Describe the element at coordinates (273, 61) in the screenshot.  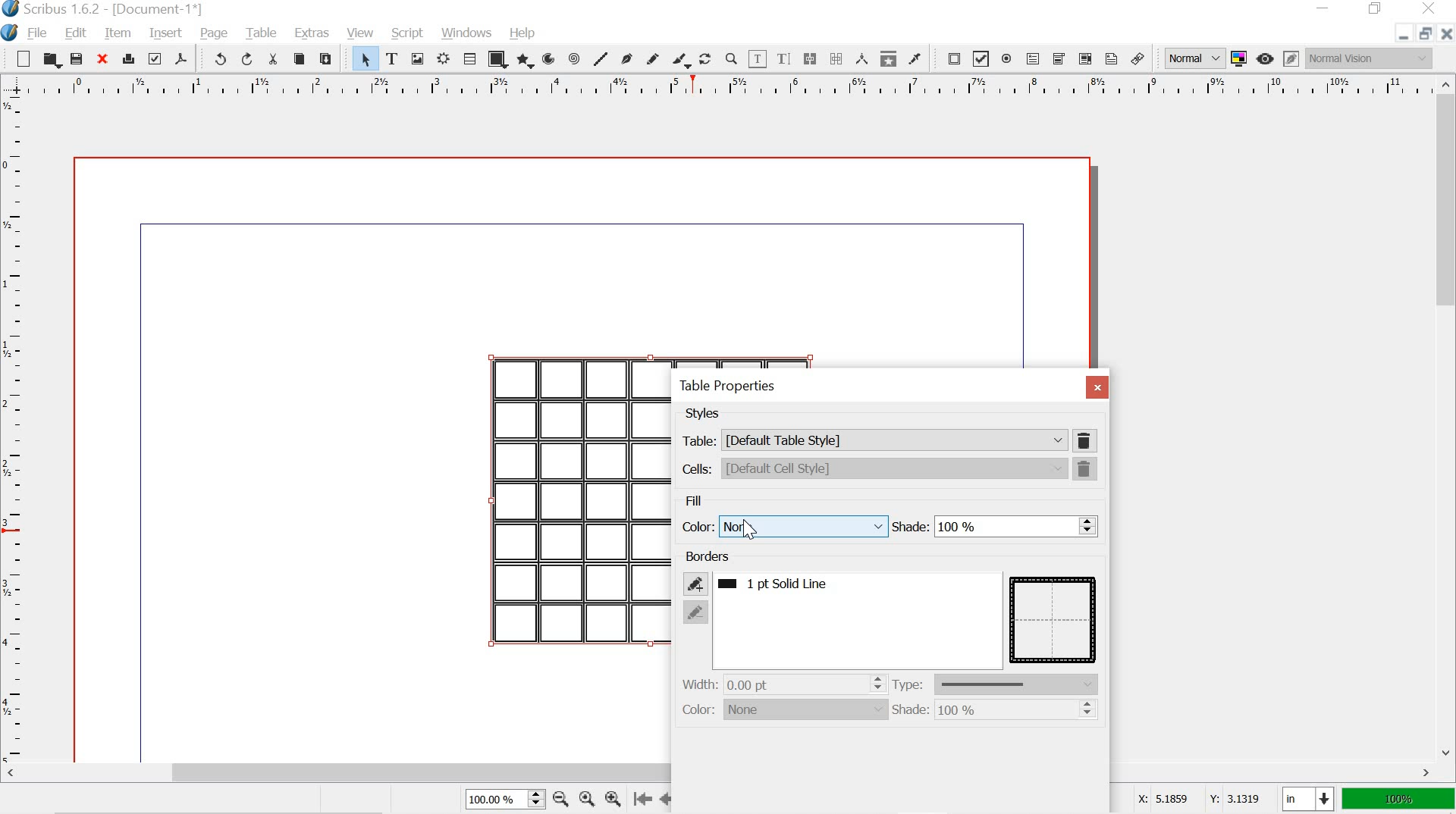
I see `cut` at that location.